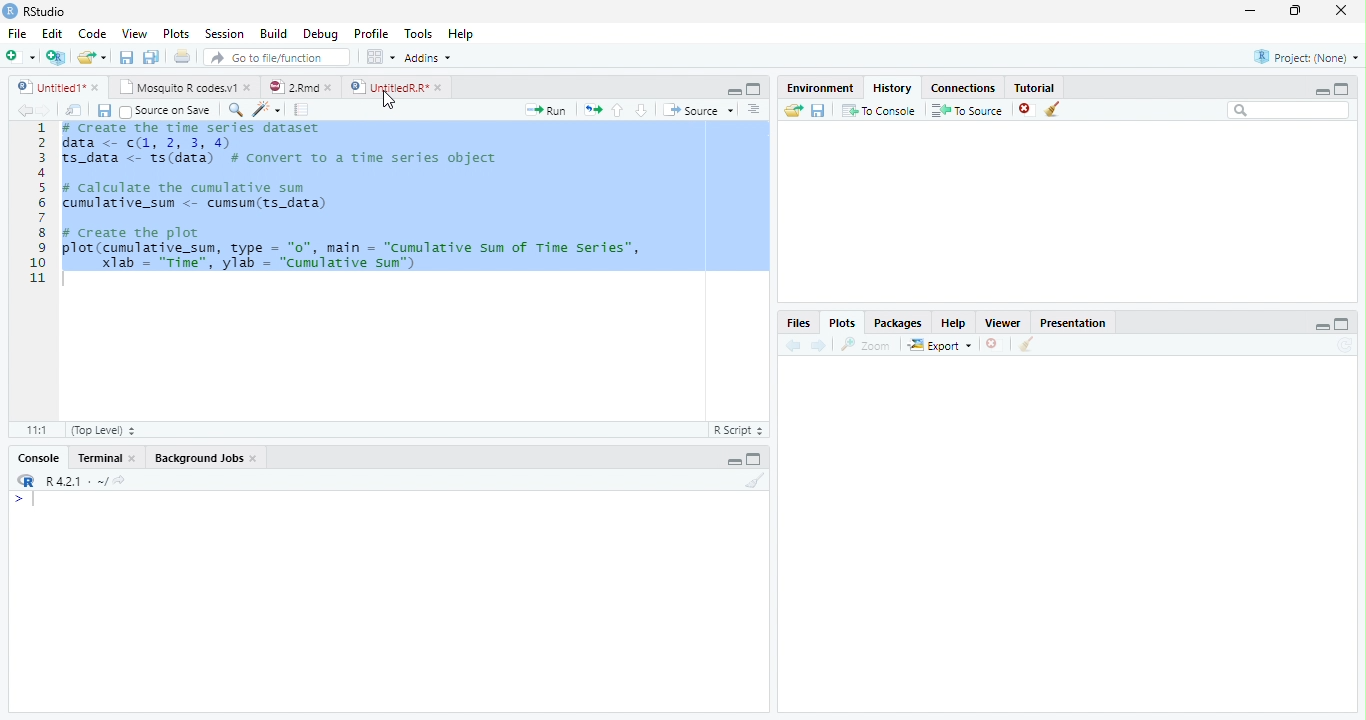 The height and width of the screenshot is (720, 1366). What do you see at coordinates (38, 208) in the screenshot?
I see `Numbers ` at bounding box center [38, 208].